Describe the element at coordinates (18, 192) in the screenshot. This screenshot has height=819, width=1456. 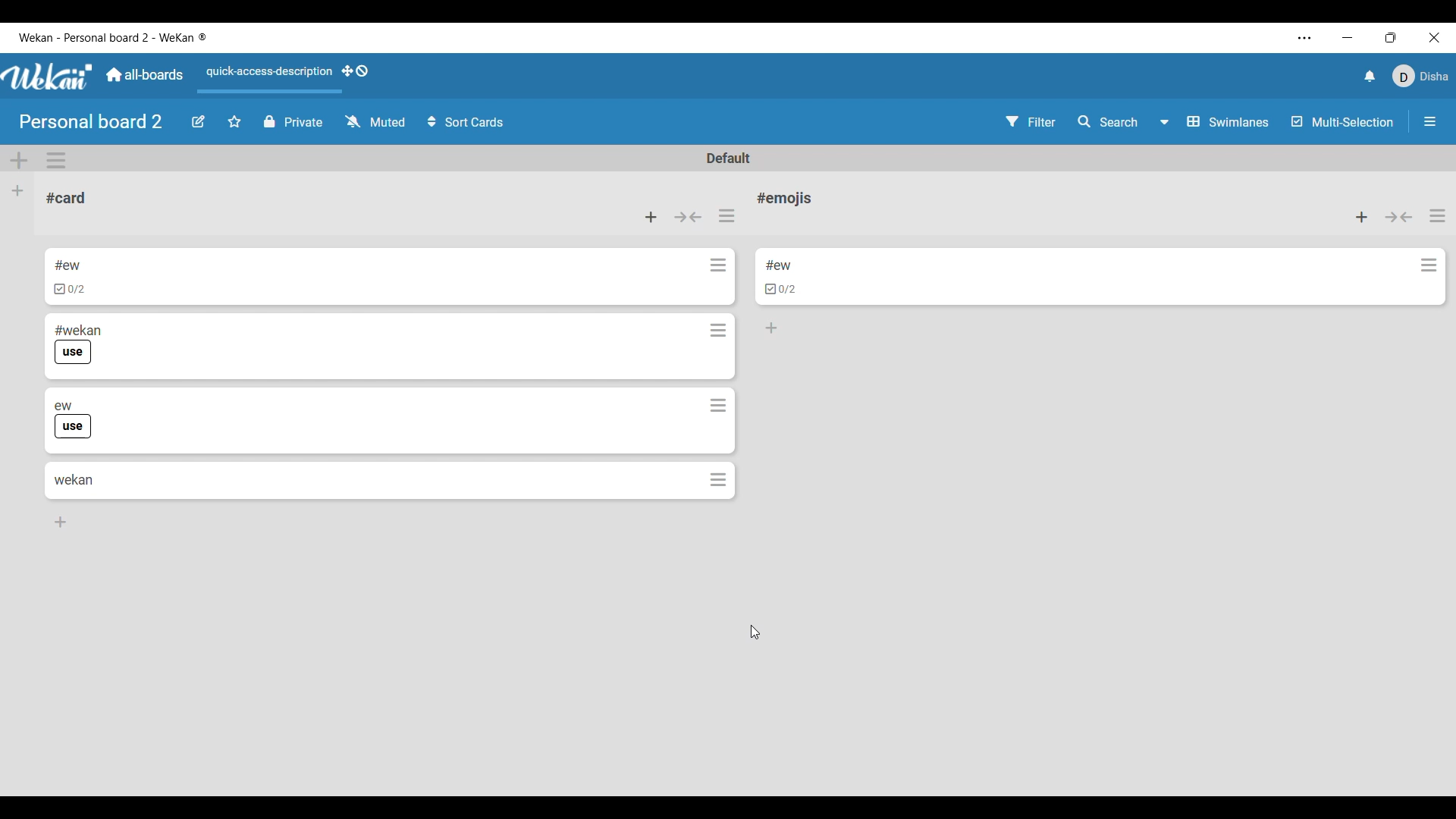
I see `Add list ` at that location.